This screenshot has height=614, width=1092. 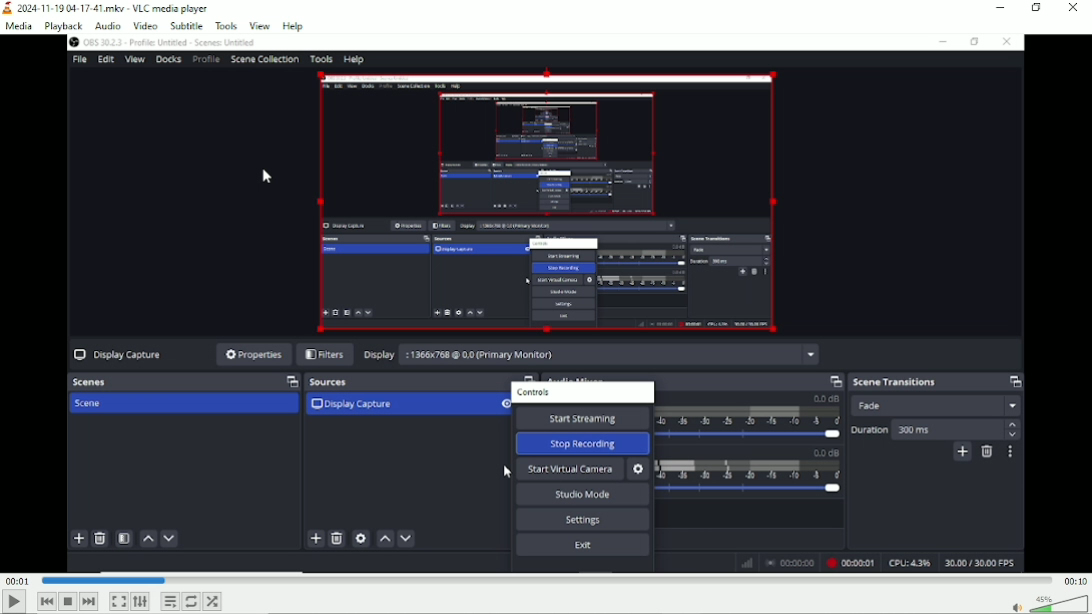 I want to click on next, so click(x=89, y=602).